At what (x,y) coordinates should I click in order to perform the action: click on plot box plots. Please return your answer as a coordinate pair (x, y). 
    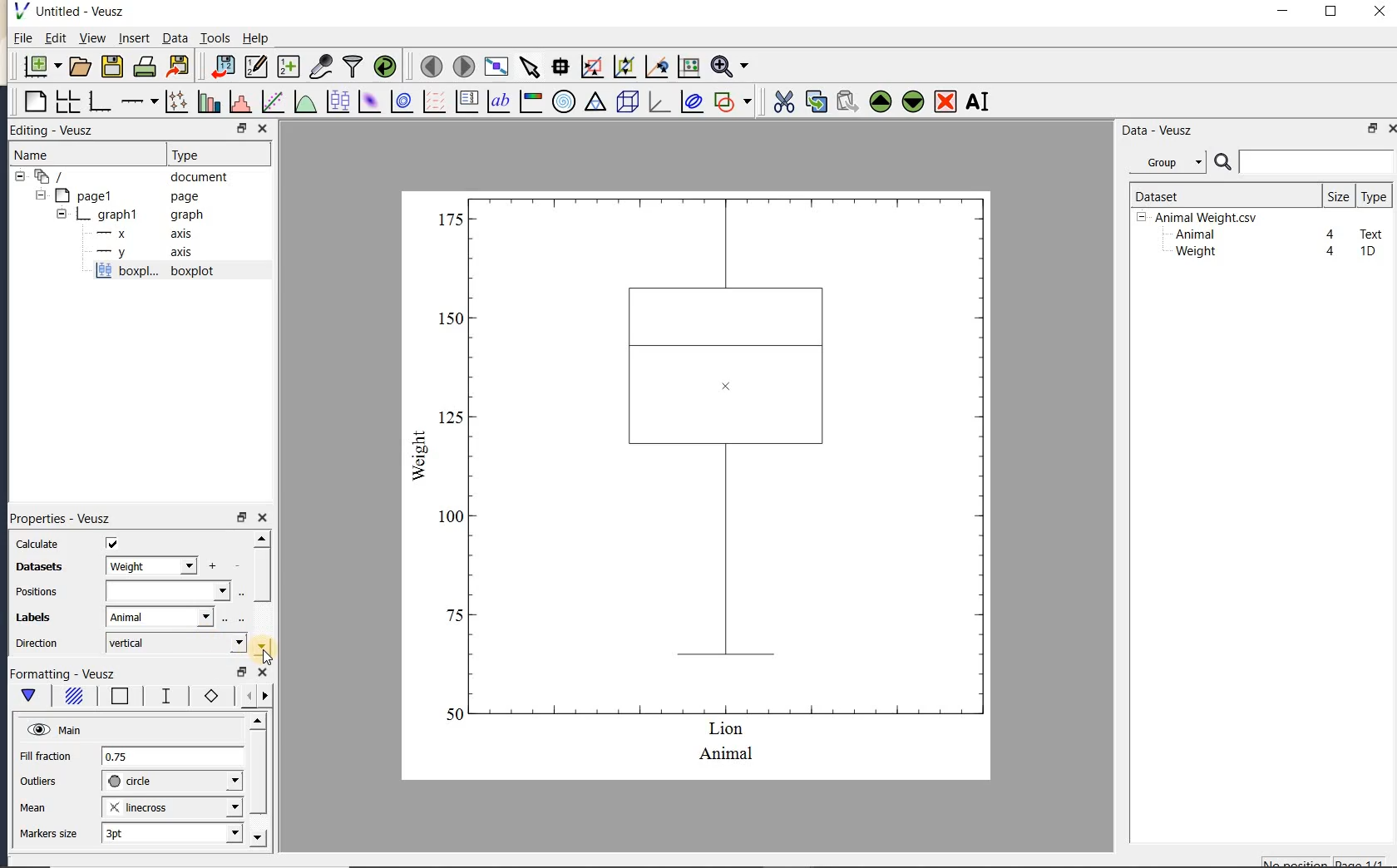
    Looking at the image, I should click on (335, 102).